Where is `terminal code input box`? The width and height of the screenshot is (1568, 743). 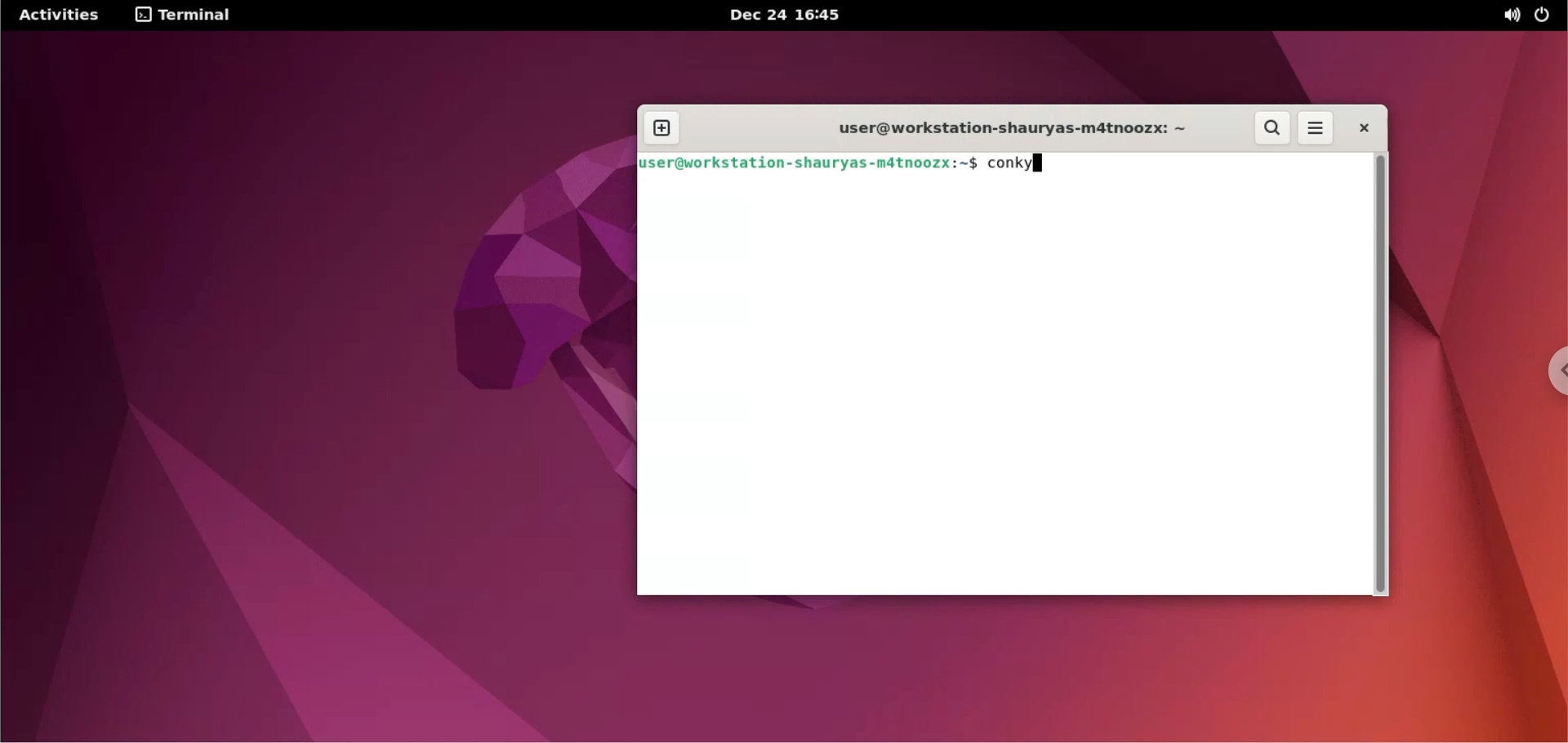
terminal code input box is located at coordinates (1002, 388).